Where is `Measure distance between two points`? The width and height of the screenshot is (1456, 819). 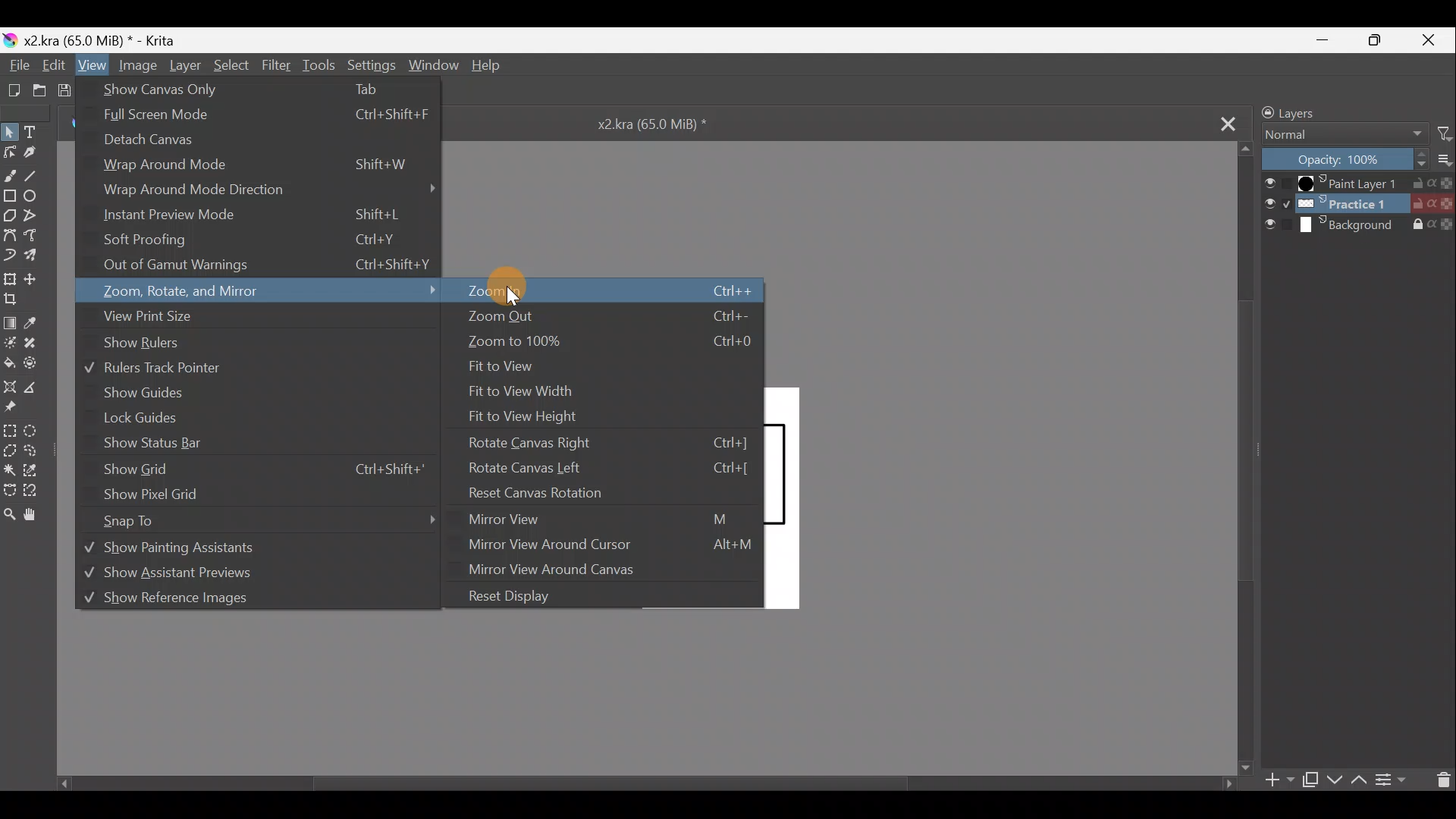 Measure distance between two points is located at coordinates (40, 391).